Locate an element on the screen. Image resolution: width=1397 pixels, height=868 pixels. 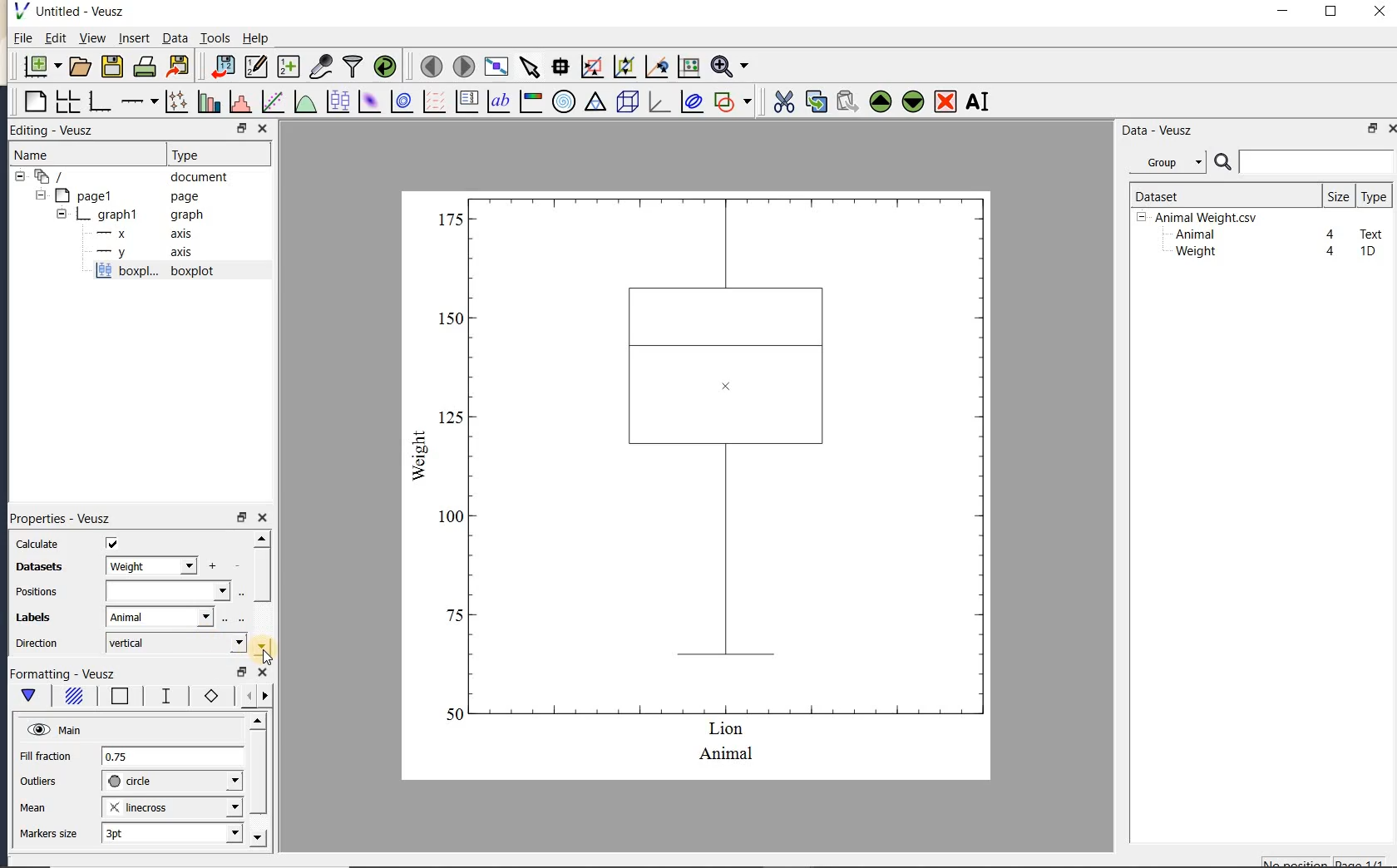
graph1 is located at coordinates (122, 215).